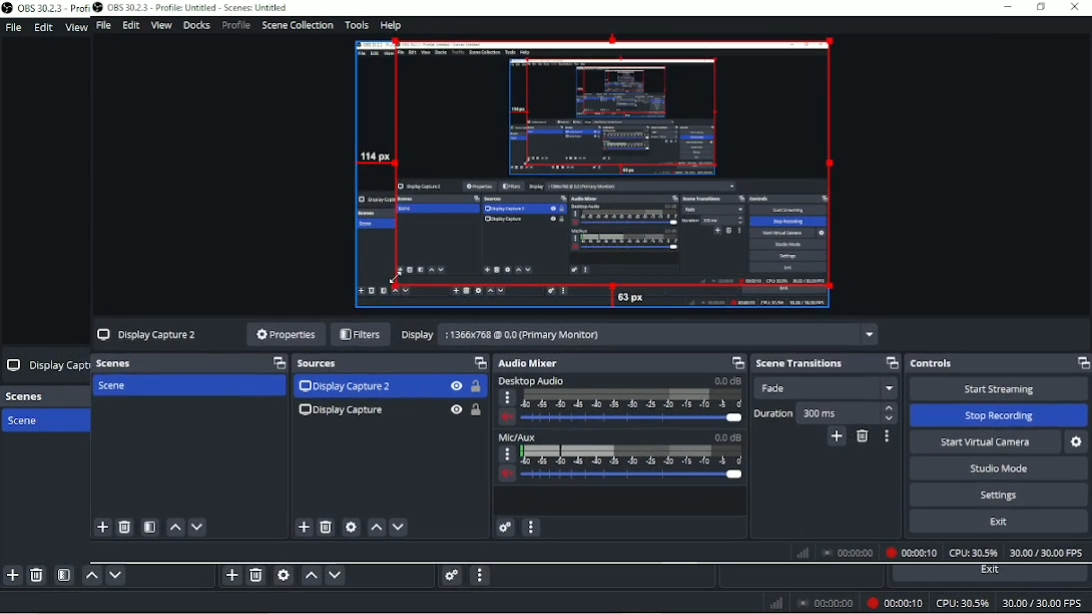 The height and width of the screenshot is (614, 1092). I want to click on View, so click(75, 26).